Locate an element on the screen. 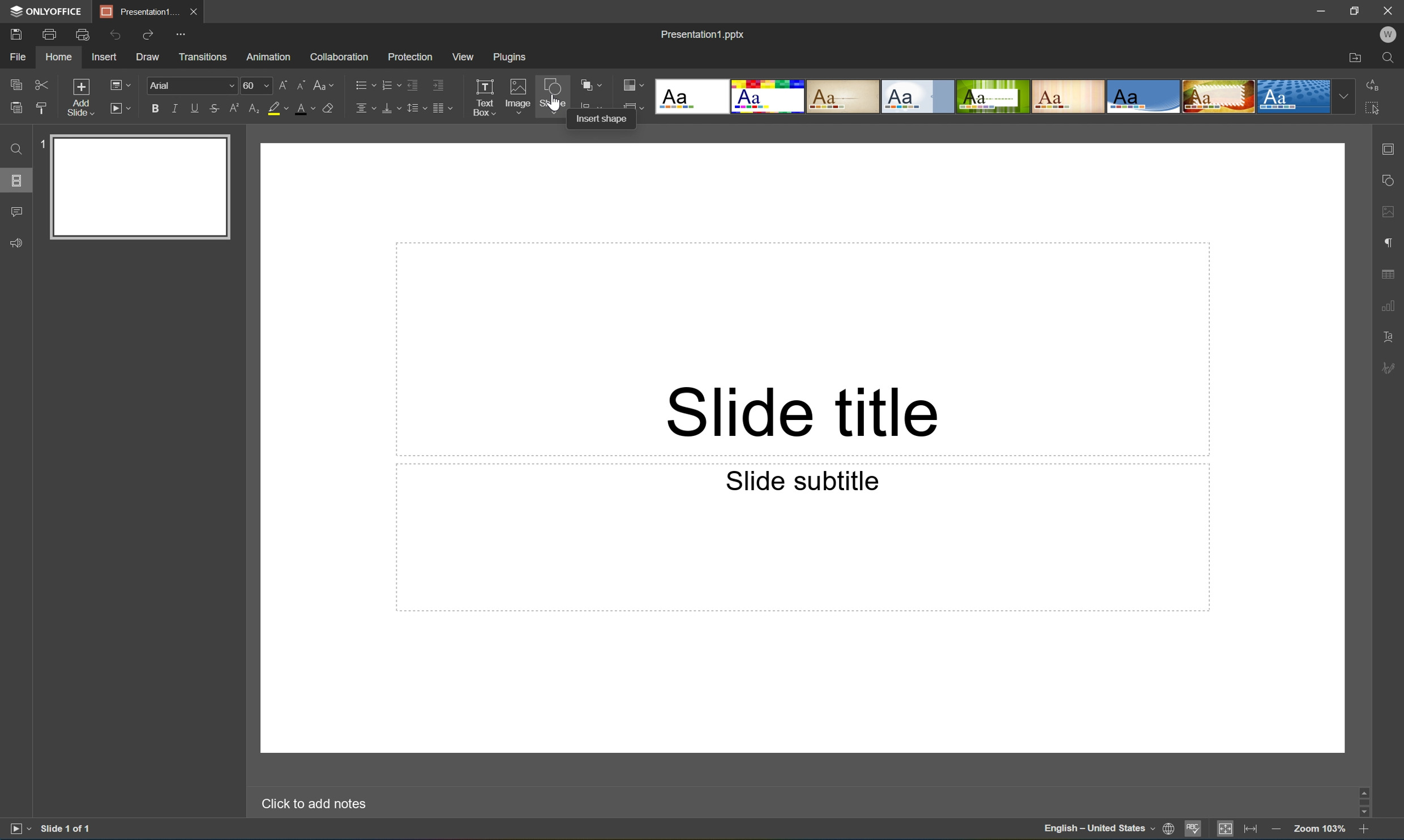  Slide title is located at coordinates (798, 407).